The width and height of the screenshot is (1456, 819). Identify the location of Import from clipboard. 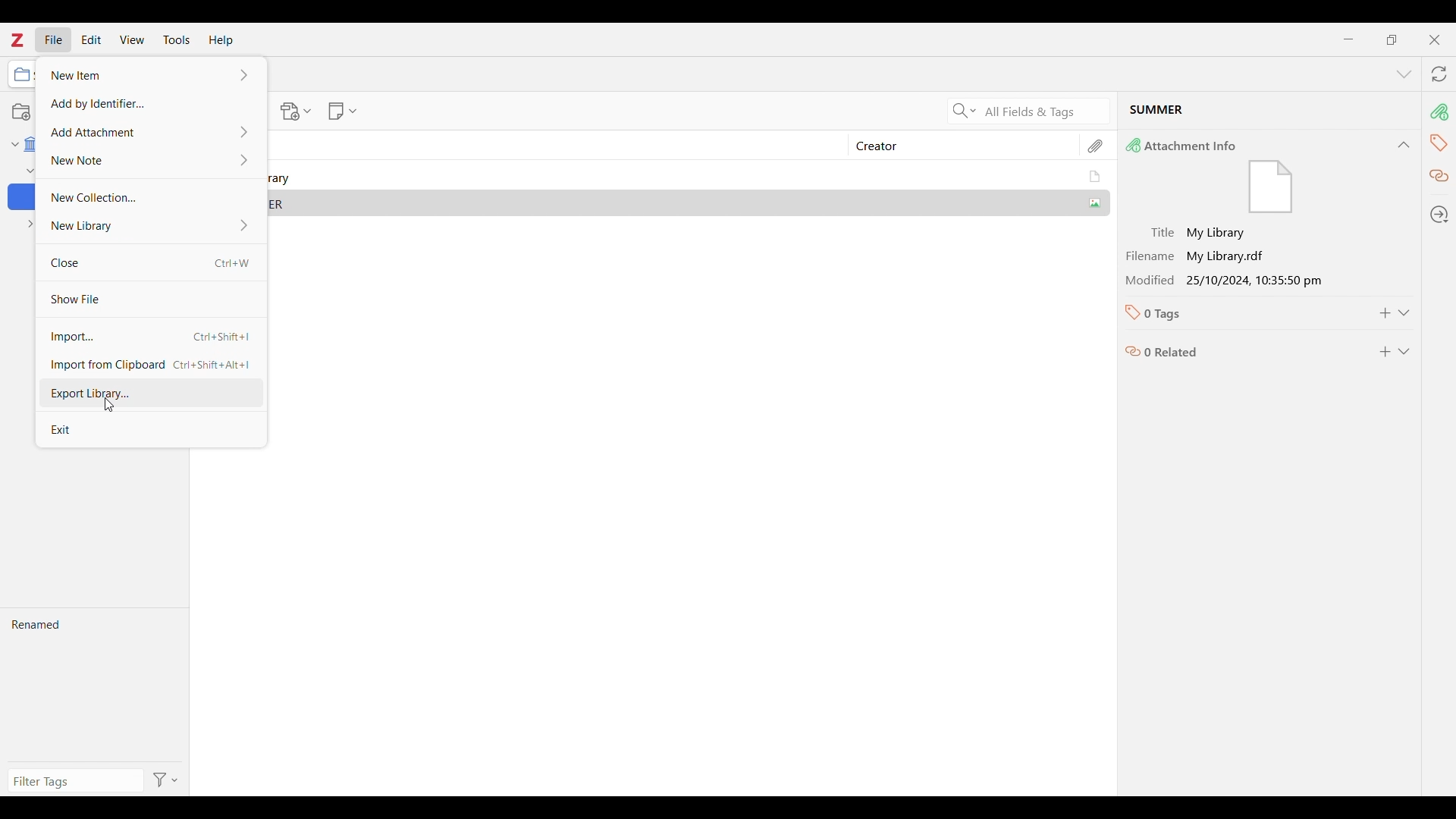
(151, 365).